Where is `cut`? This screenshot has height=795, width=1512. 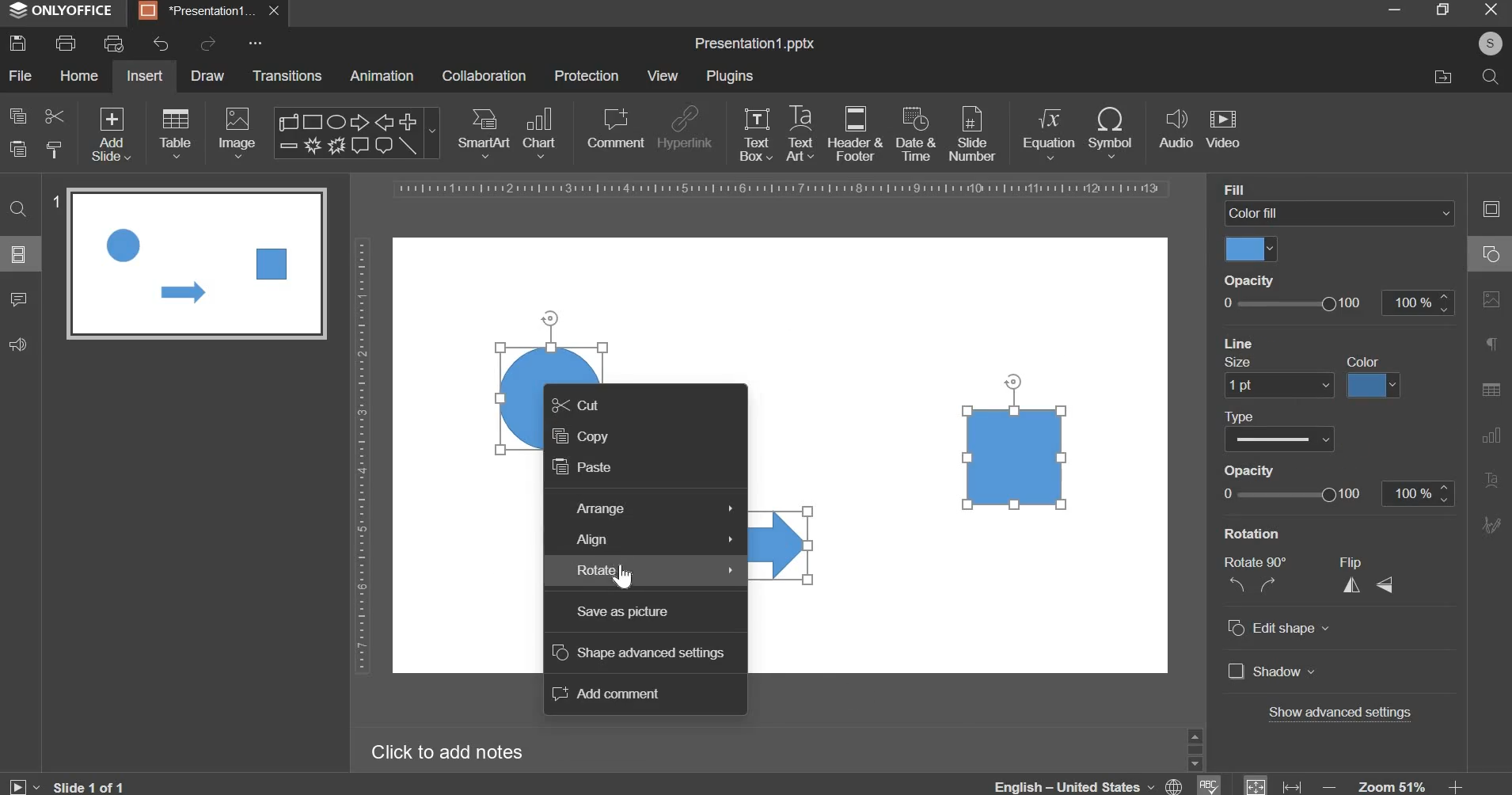 cut is located at coordinates (53, 115).